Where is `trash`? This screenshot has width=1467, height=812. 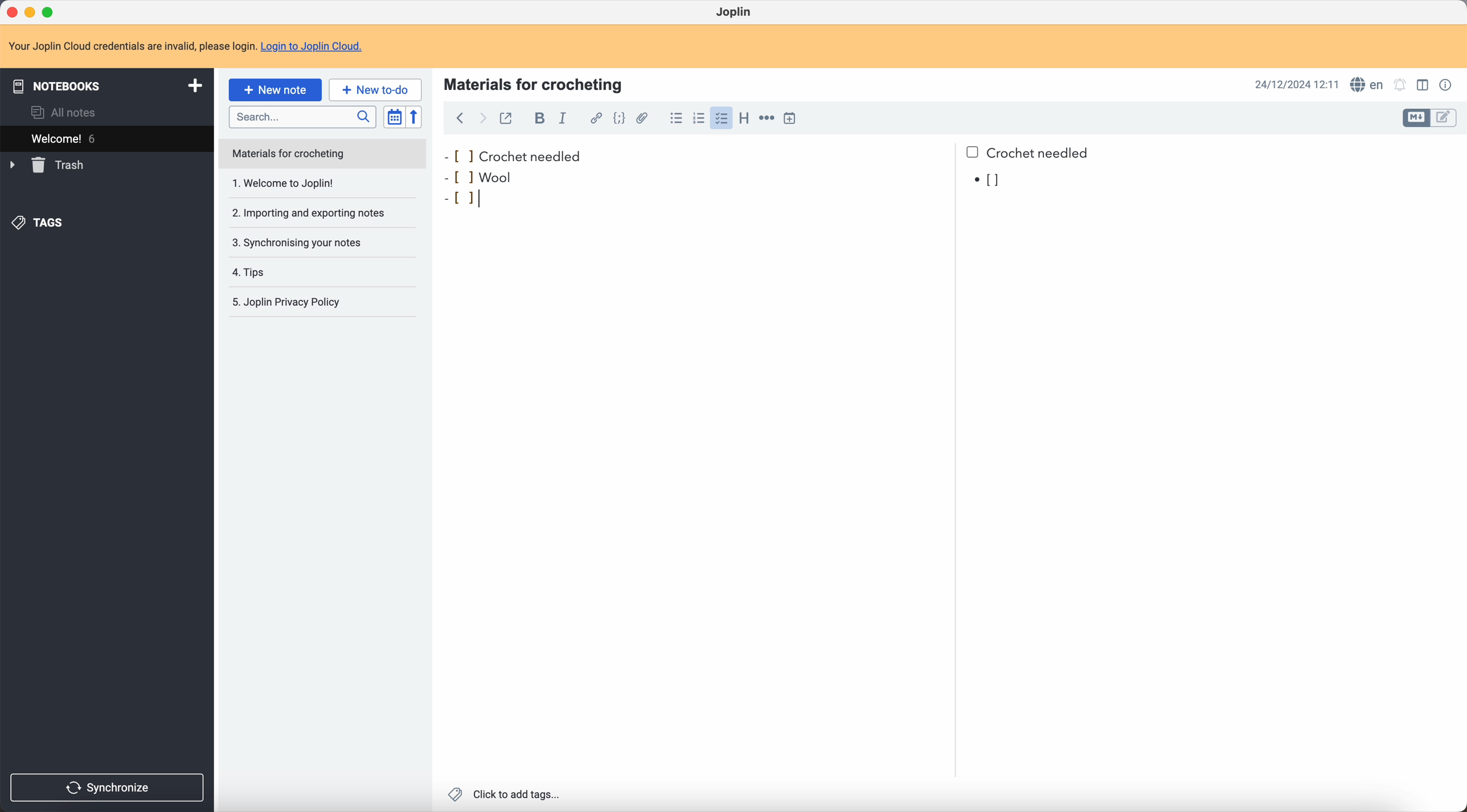 trash is located at coordinates (49, 165).